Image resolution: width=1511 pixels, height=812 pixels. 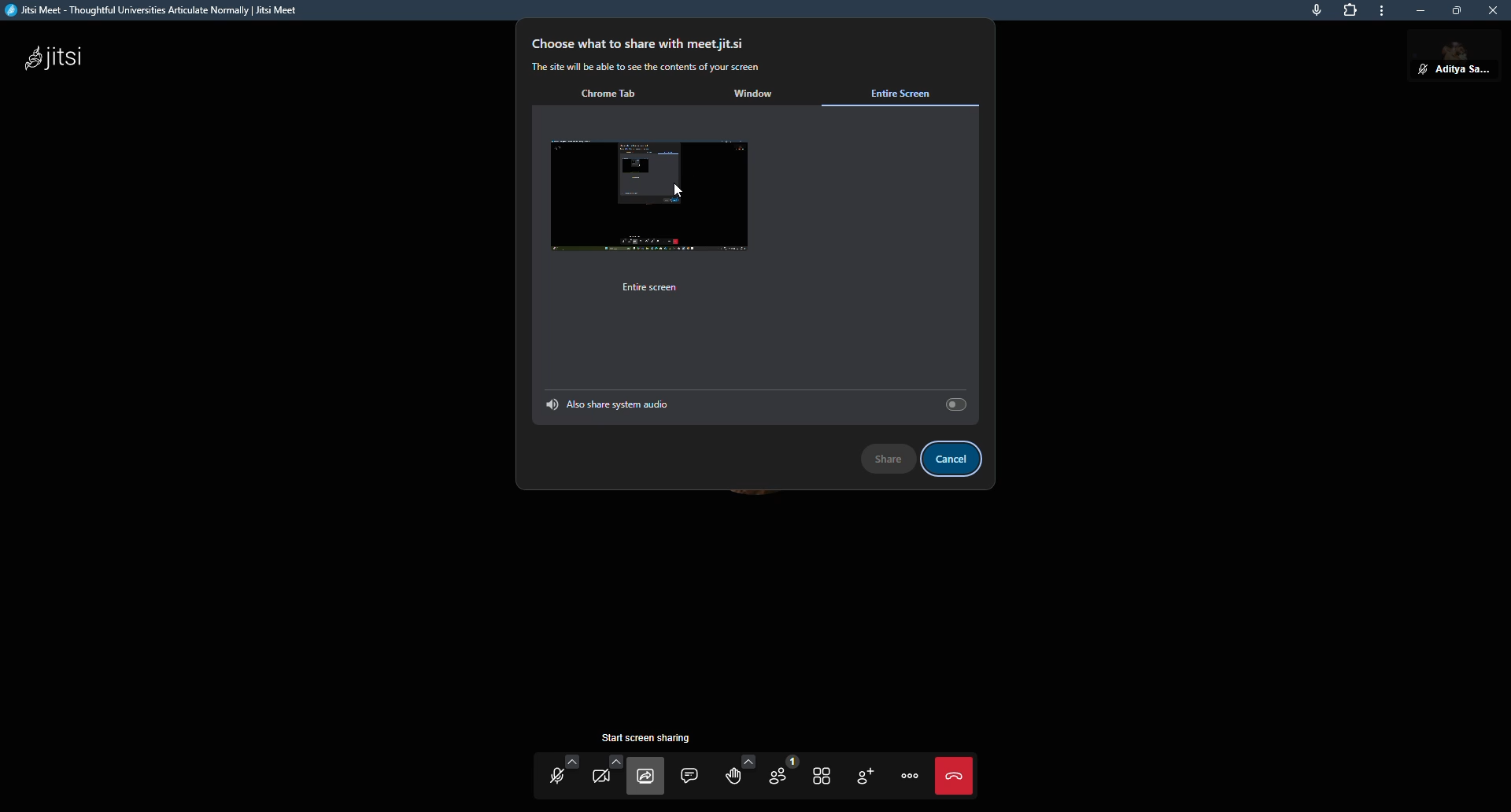 I want to click on toggle tile view, so click(x=822, y=774).